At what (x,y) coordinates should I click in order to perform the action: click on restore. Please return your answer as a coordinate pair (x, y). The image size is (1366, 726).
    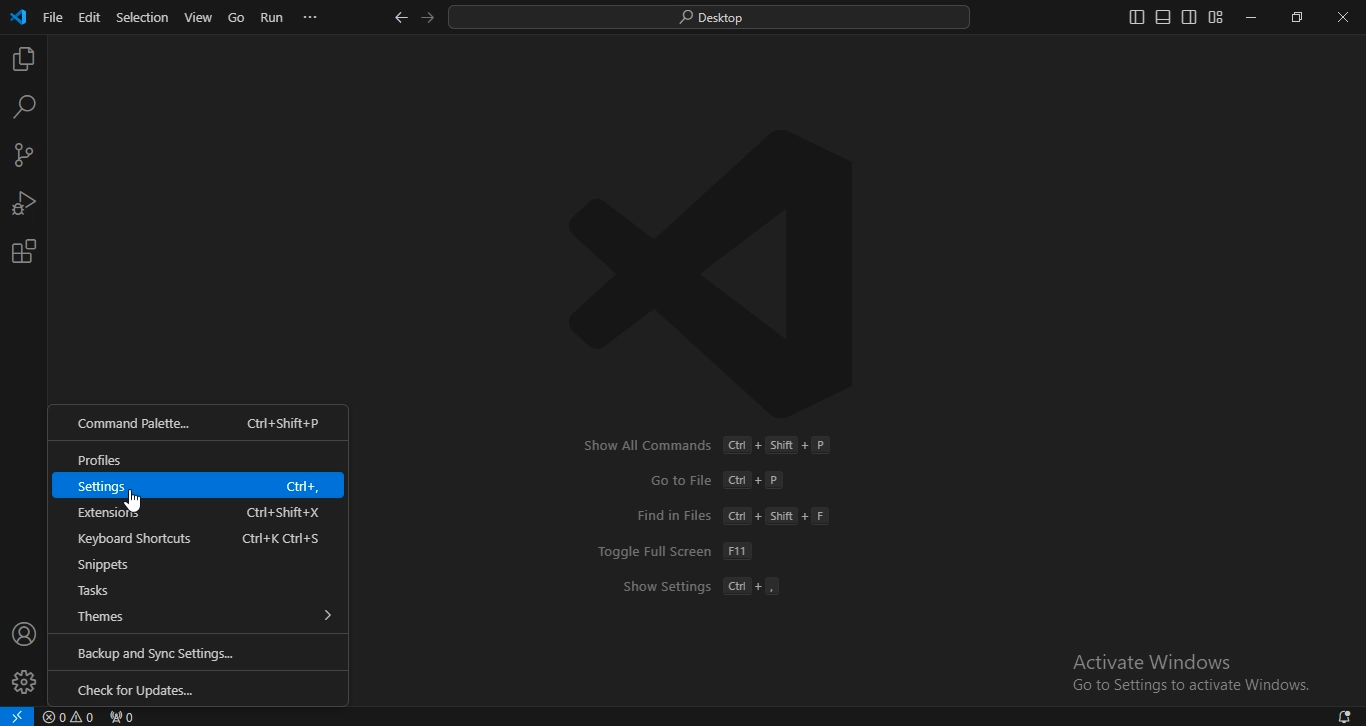
    Looking at the image, I should click on (1298, 17).